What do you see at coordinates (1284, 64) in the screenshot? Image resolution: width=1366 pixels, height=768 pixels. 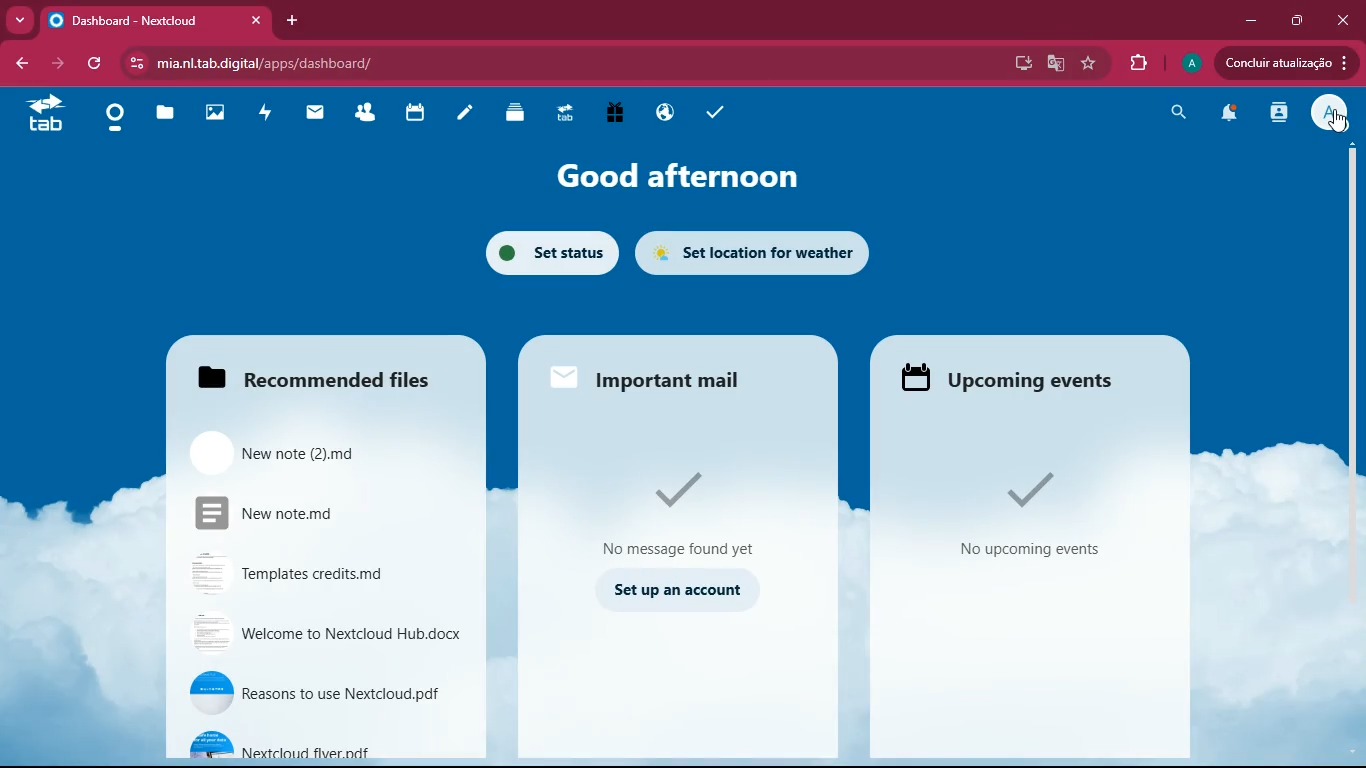 I see `Condluir atualizagio ` at bounding box center [1284, 64].